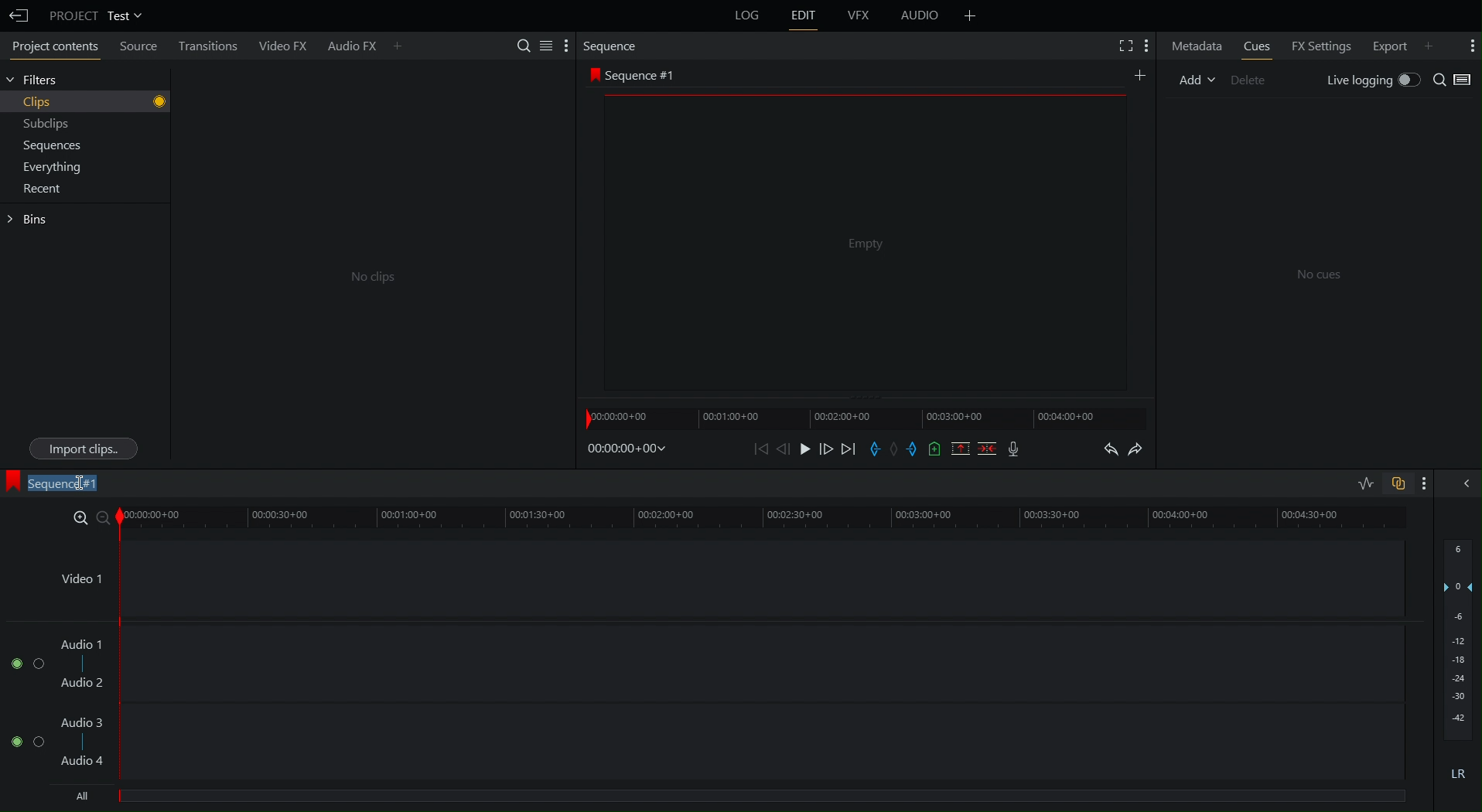 This screenshot has height=812, width=1482. Describe the element at coordinates (961, 448) in the screenshot. I see `Remove marked section` at that location.